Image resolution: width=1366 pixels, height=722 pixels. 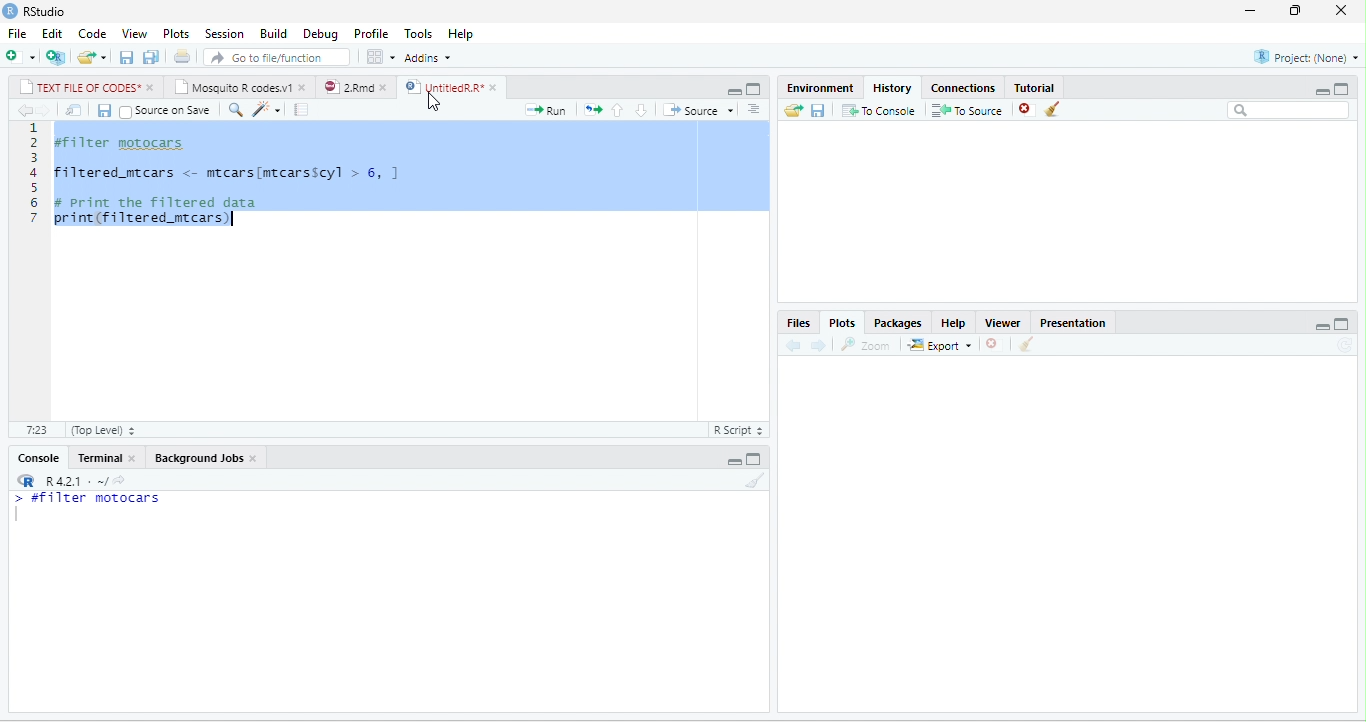 What do you see at coordinates (74, 110) in the screenshot?
I see `show in new window` at bounding box center [74, 110].